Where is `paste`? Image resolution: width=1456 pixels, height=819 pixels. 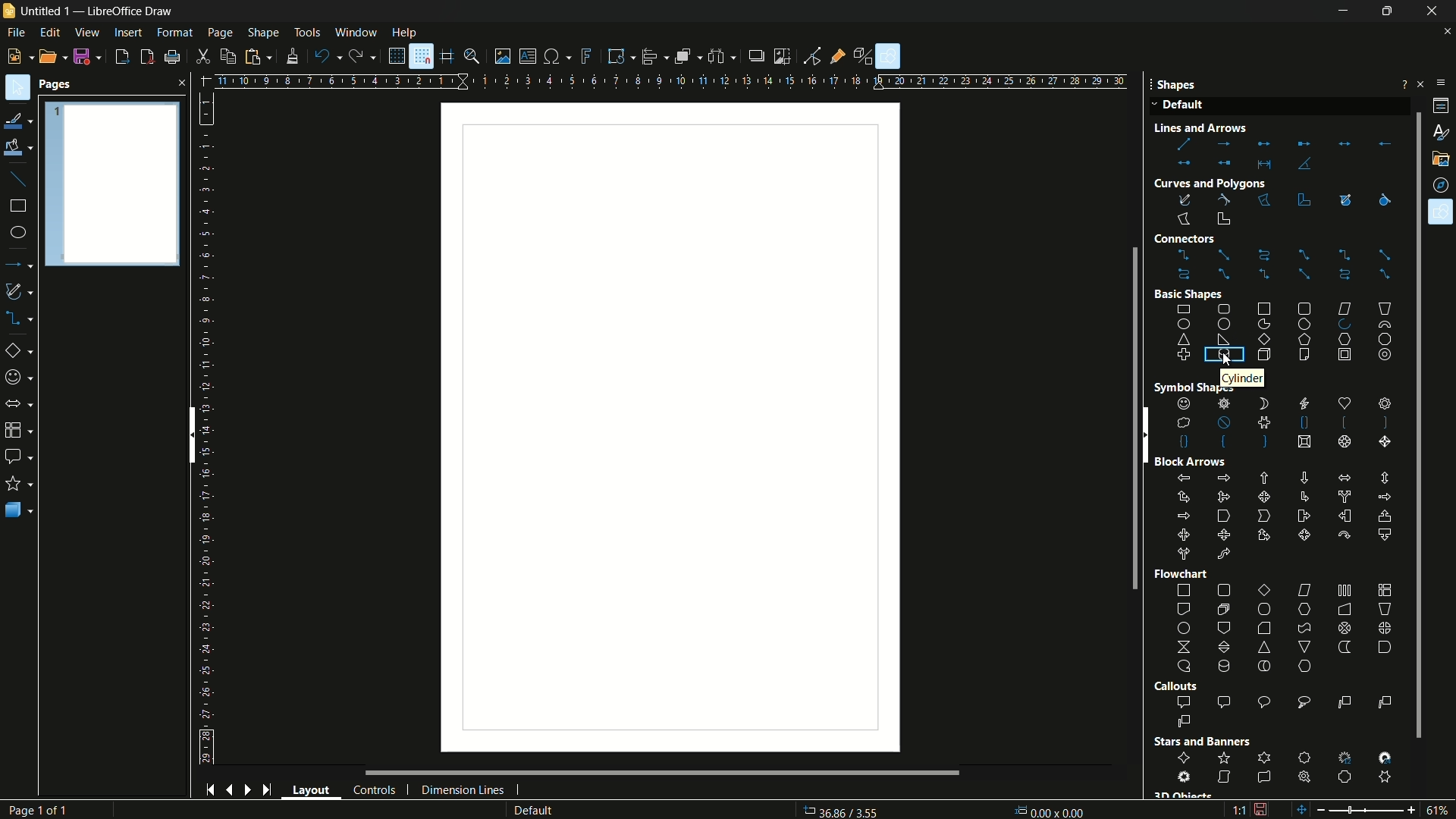 paste is located at coordinates (262, 56).